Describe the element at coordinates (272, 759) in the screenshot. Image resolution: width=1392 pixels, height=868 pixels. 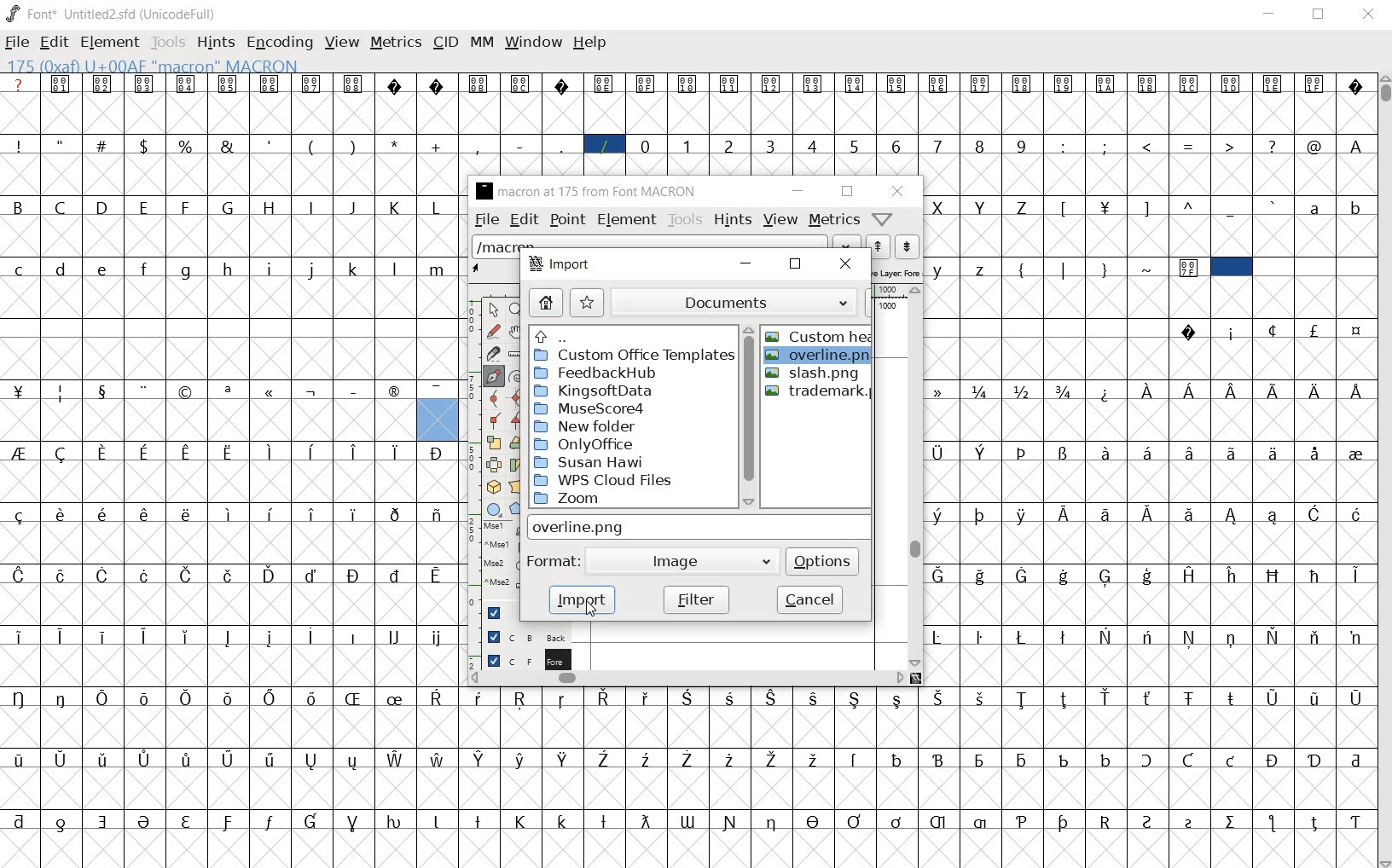
I see `Symbol` at that location.